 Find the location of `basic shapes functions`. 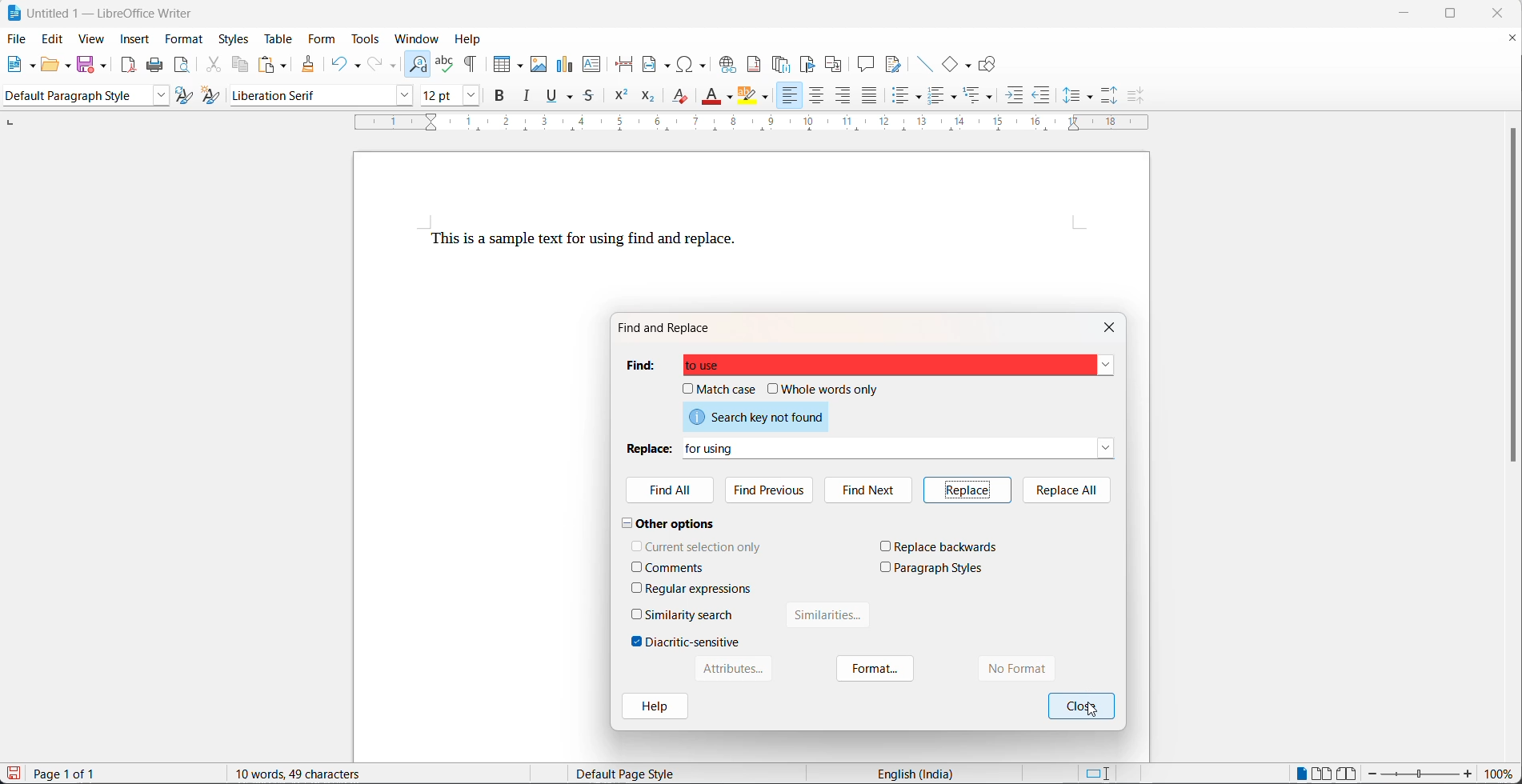

basic shapes functions is located at coordinates (969, 65).